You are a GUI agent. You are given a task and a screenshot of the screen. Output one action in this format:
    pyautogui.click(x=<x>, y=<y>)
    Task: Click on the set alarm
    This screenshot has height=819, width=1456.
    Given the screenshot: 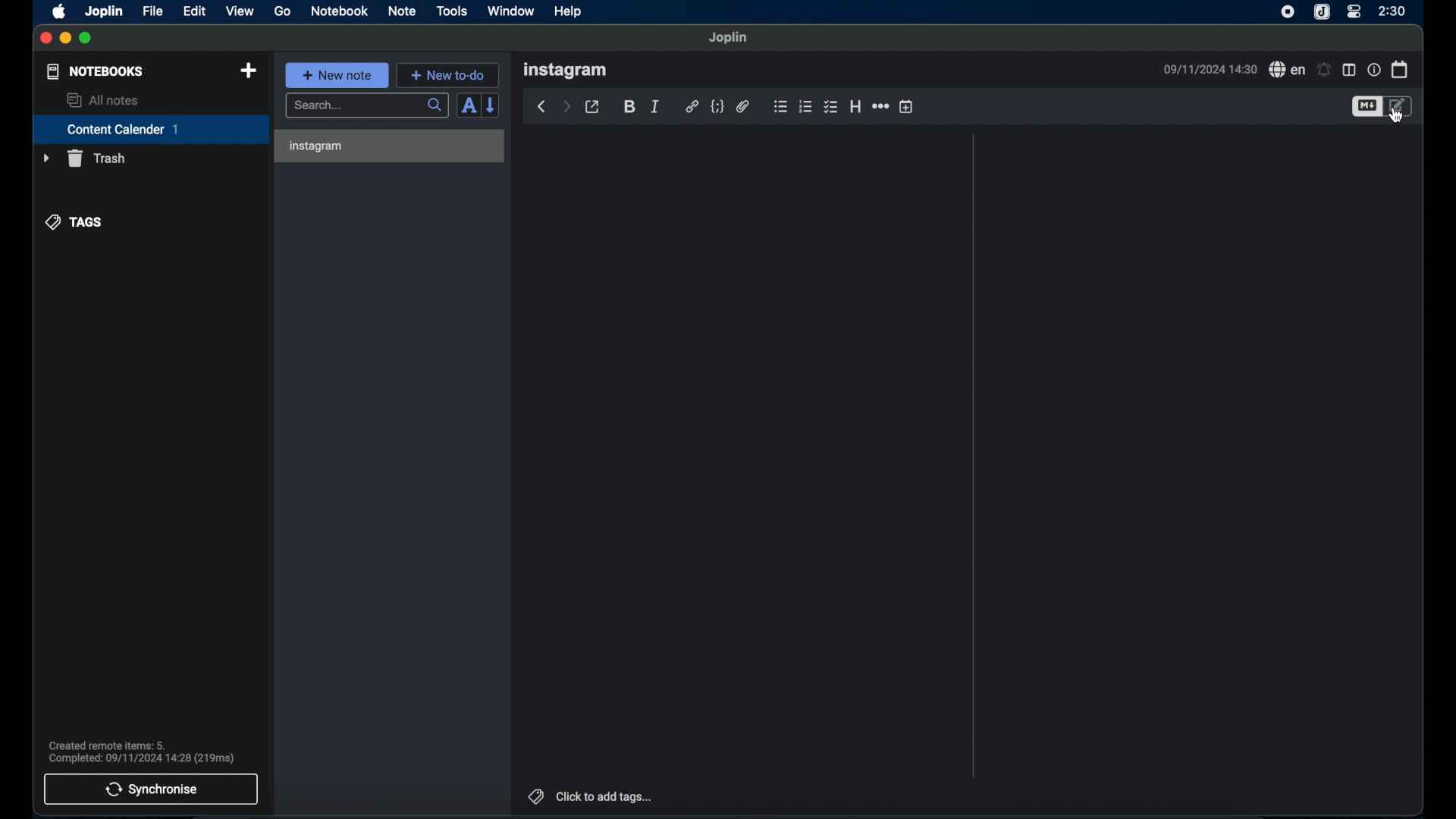 What is the action you would take?
    pyautogui.click(x=1324, y=69)
    